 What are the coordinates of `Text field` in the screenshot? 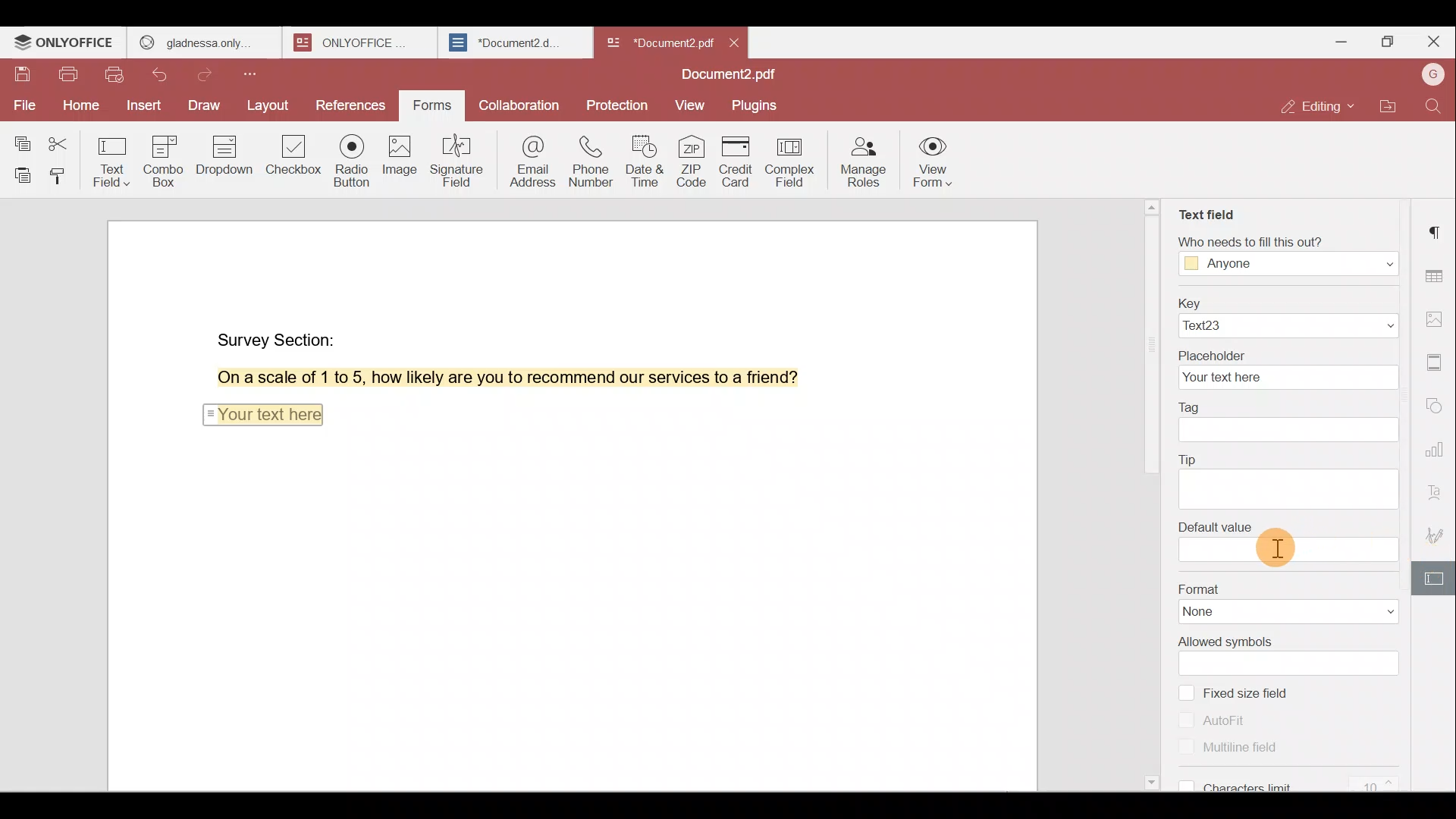 It's located at (114, 158).